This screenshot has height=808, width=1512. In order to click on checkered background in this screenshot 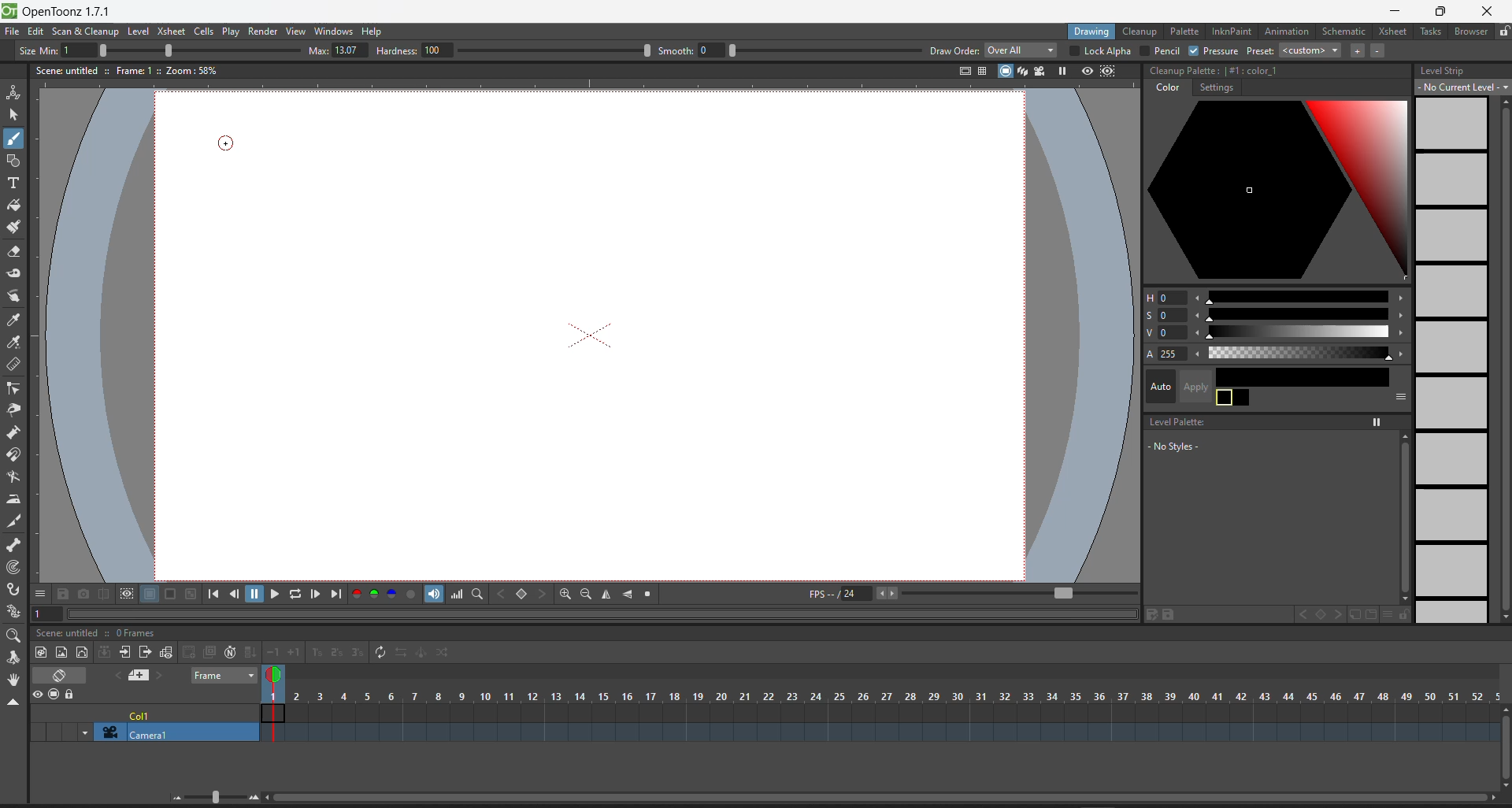, I will do `click(191, 593)`.